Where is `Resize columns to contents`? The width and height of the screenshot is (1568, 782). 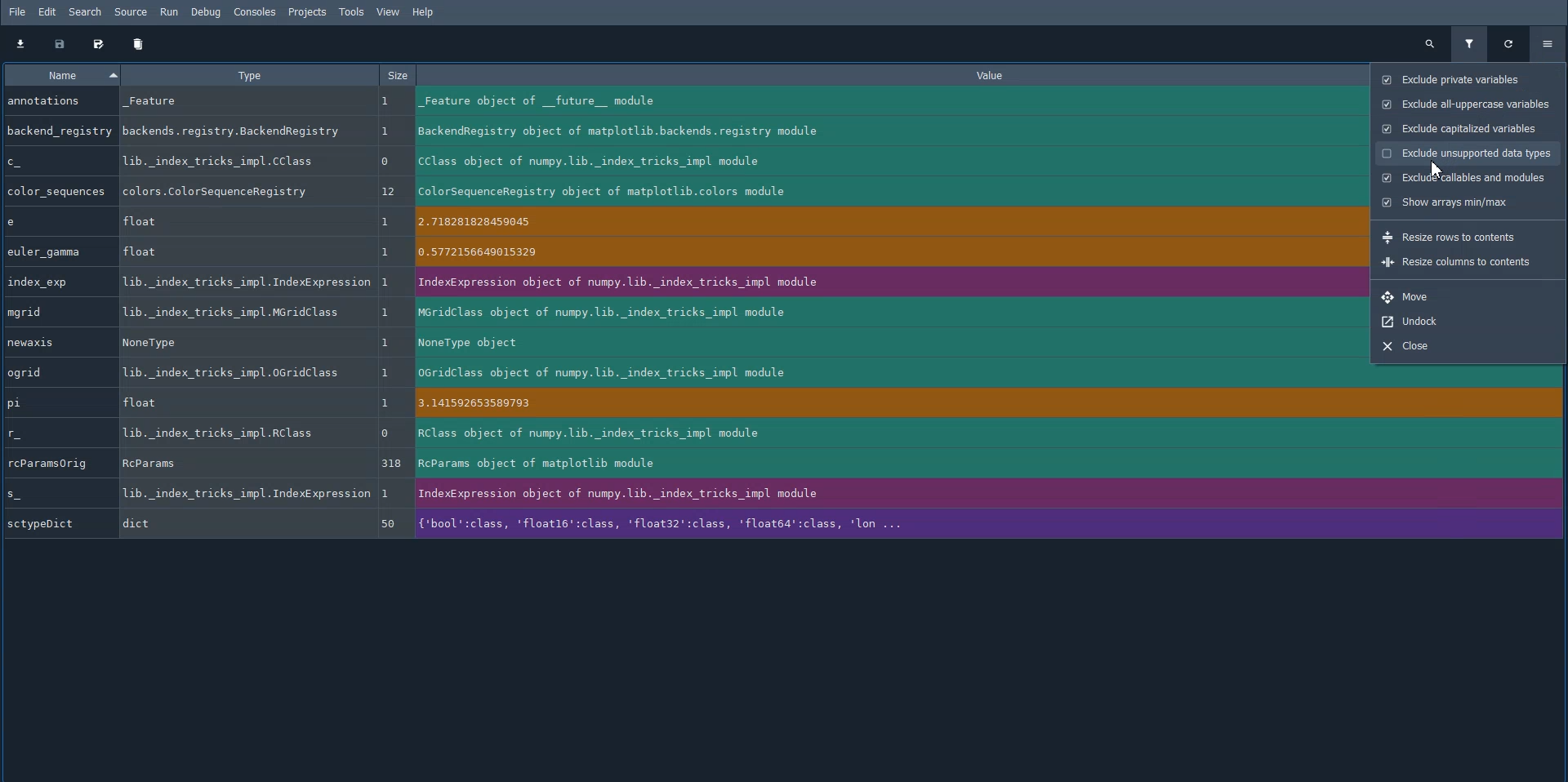 Resize columns to contents is located at coordinates (1458, 261).